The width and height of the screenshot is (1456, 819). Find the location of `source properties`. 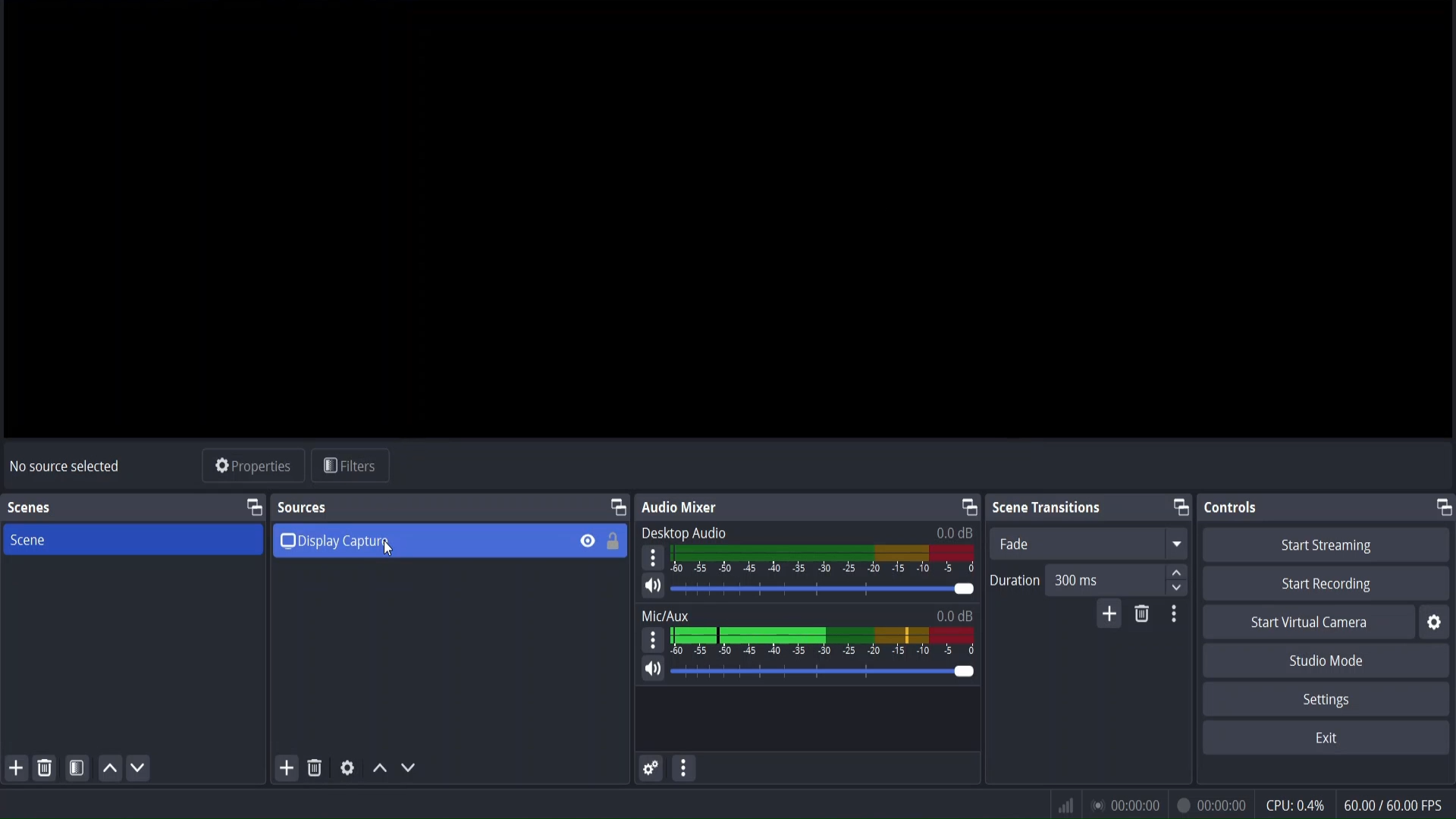

source properties is located at coordinates (253, 468).